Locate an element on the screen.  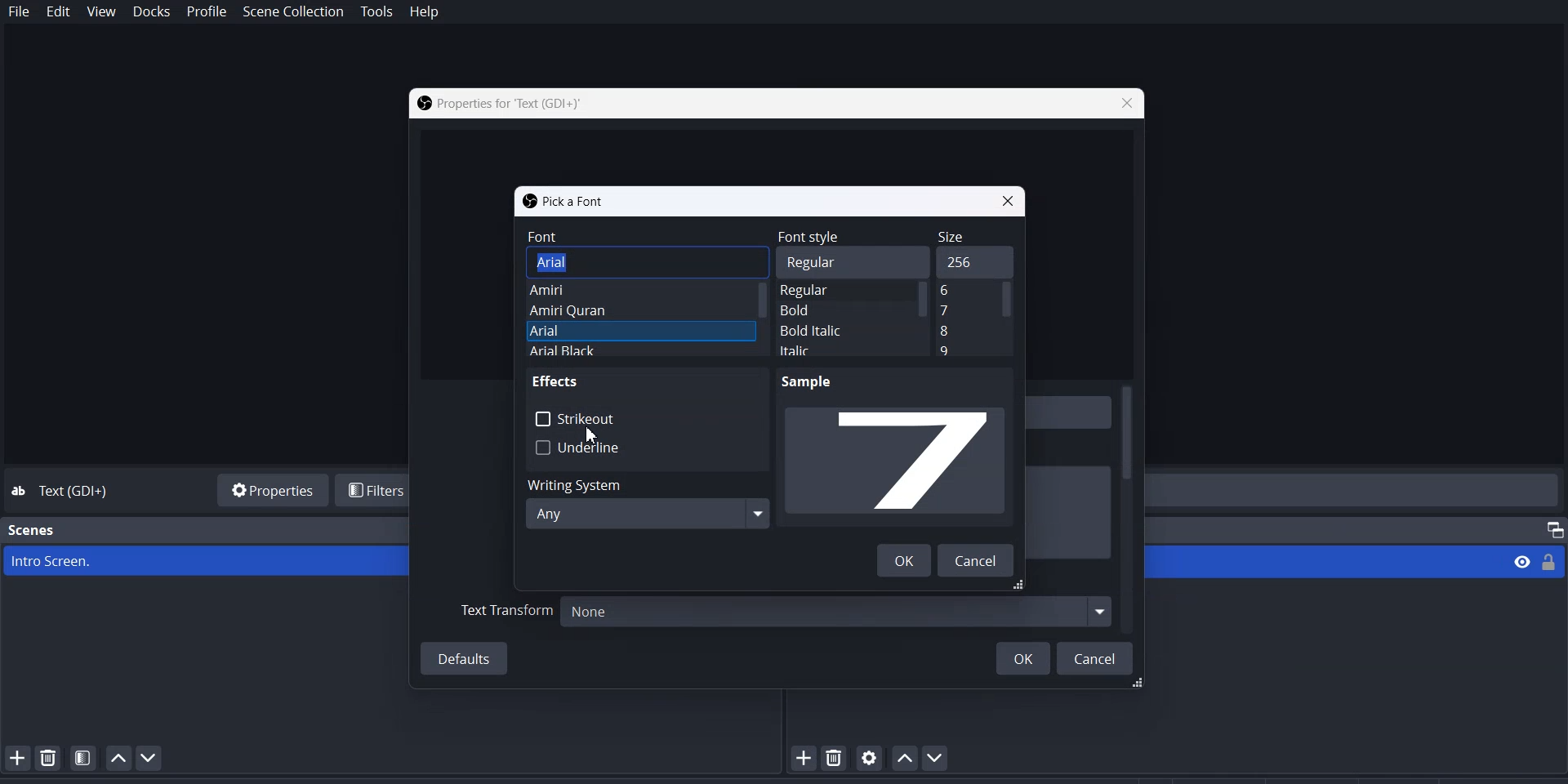
Defaults is located at coordinates (466, 658).